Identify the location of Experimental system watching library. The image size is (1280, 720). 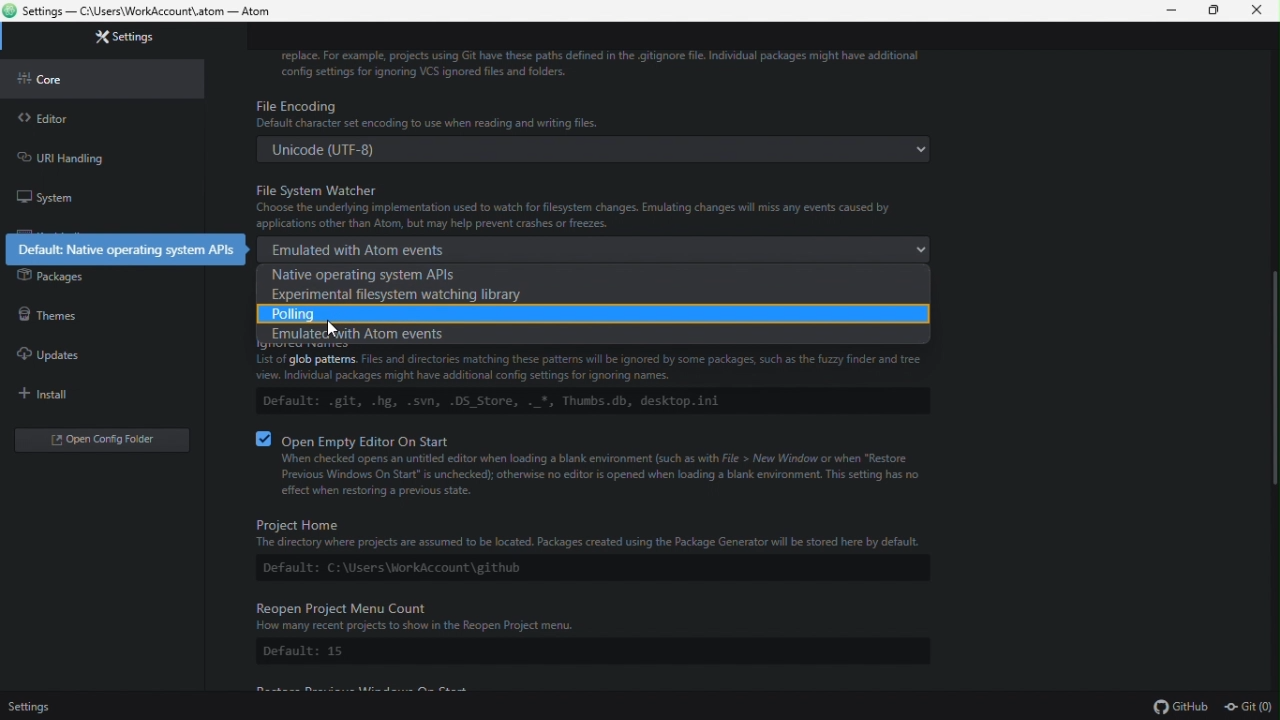
(551, 296).